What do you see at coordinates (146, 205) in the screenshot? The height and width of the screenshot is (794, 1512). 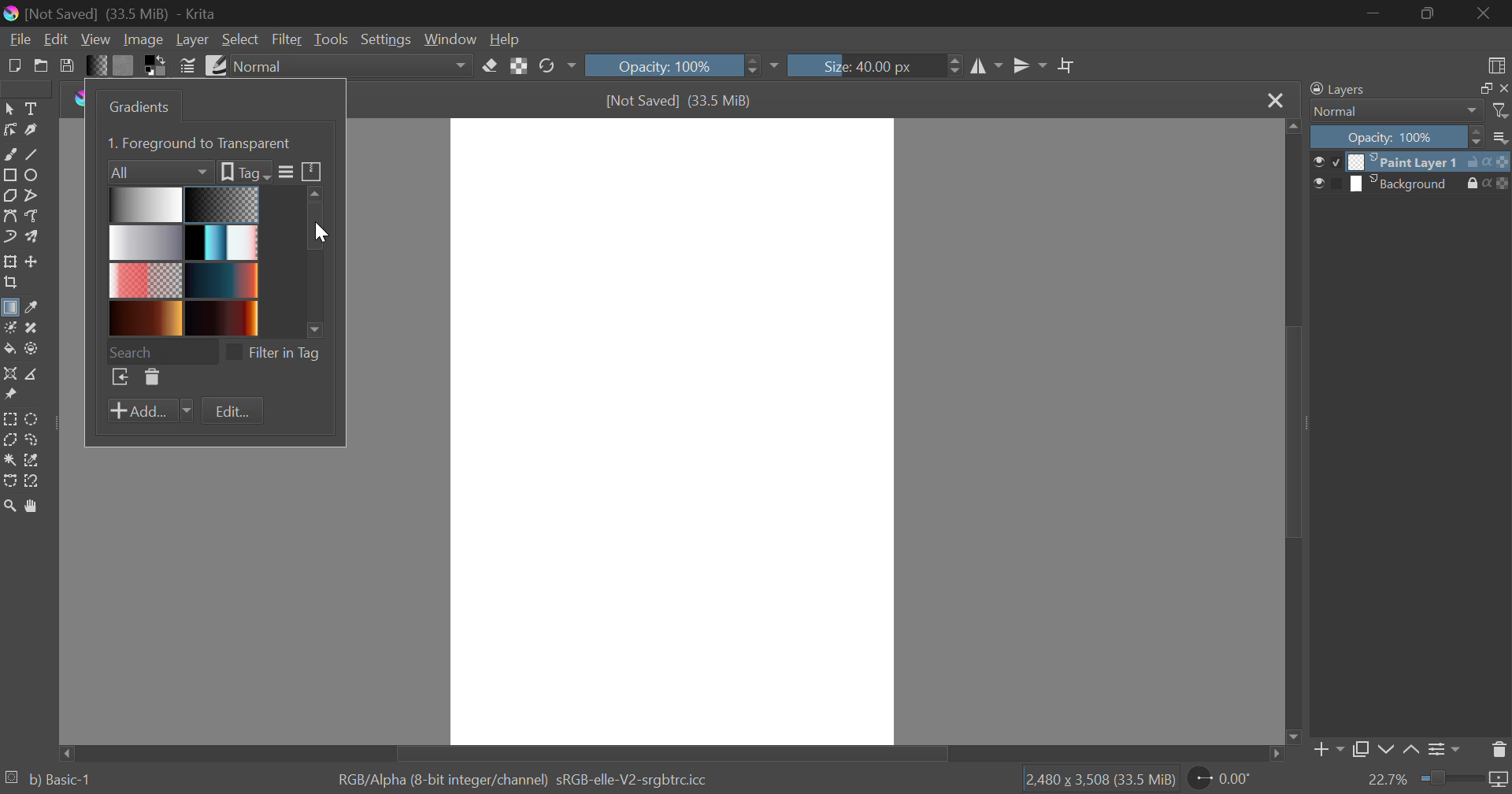 I see `Gradient 1` at bounding box center [146, 205].